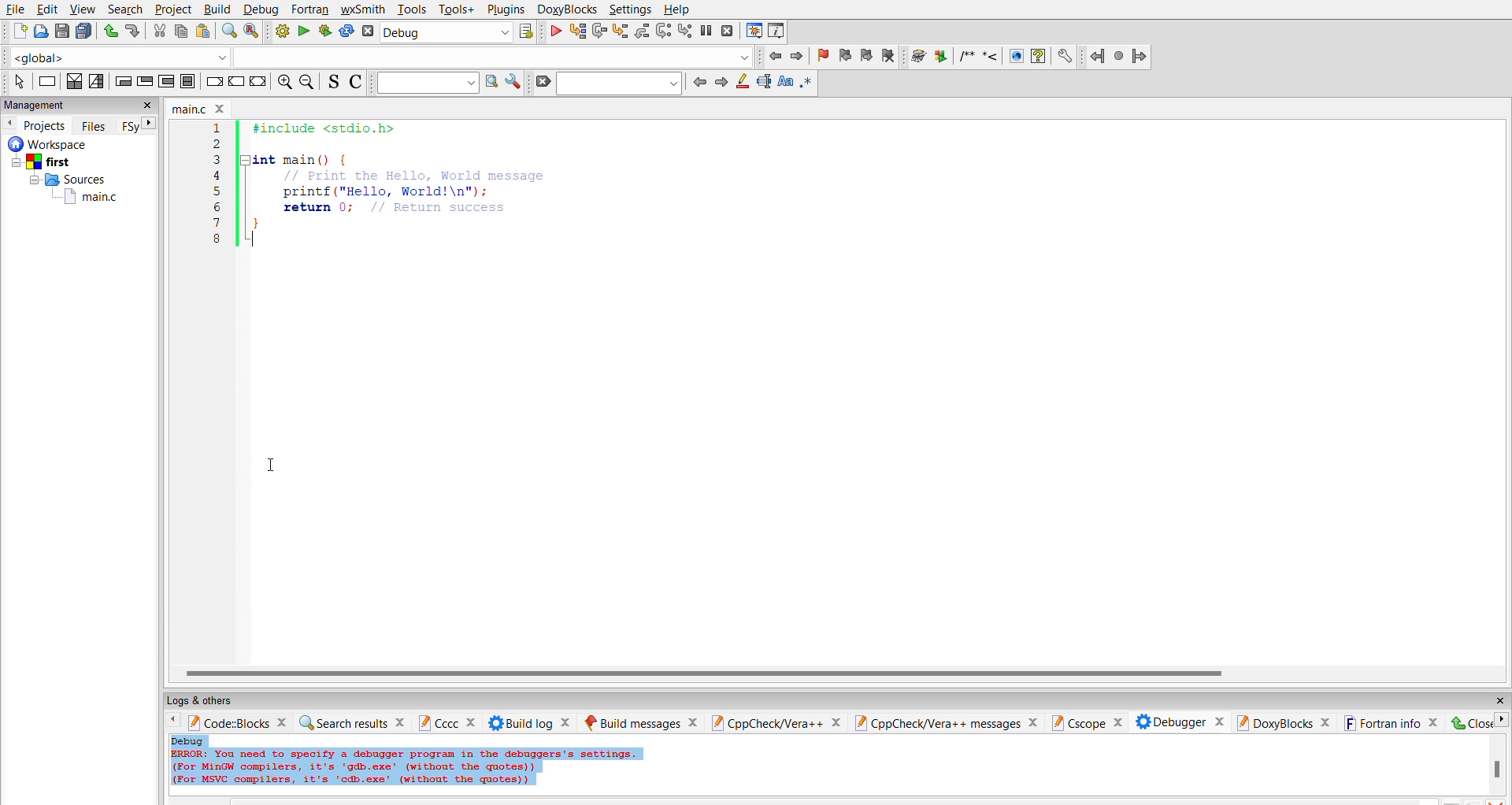 The width and height of the screenshot is (1512, 805). Describe the element at coordinates (235, 722) in the screenshot. I see `code:blocks` at that location.